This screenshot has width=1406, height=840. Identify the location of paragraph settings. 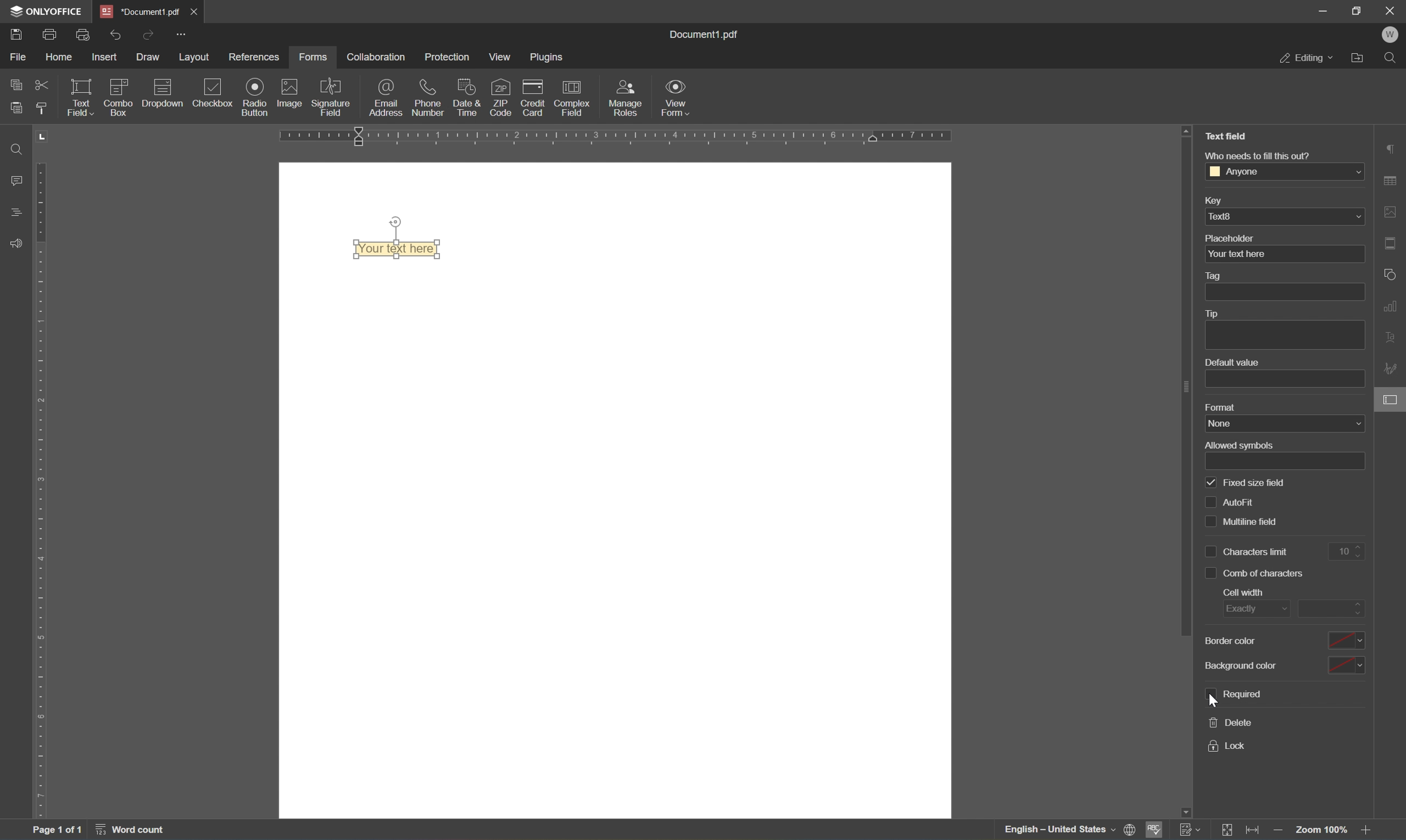
(1395, 147).